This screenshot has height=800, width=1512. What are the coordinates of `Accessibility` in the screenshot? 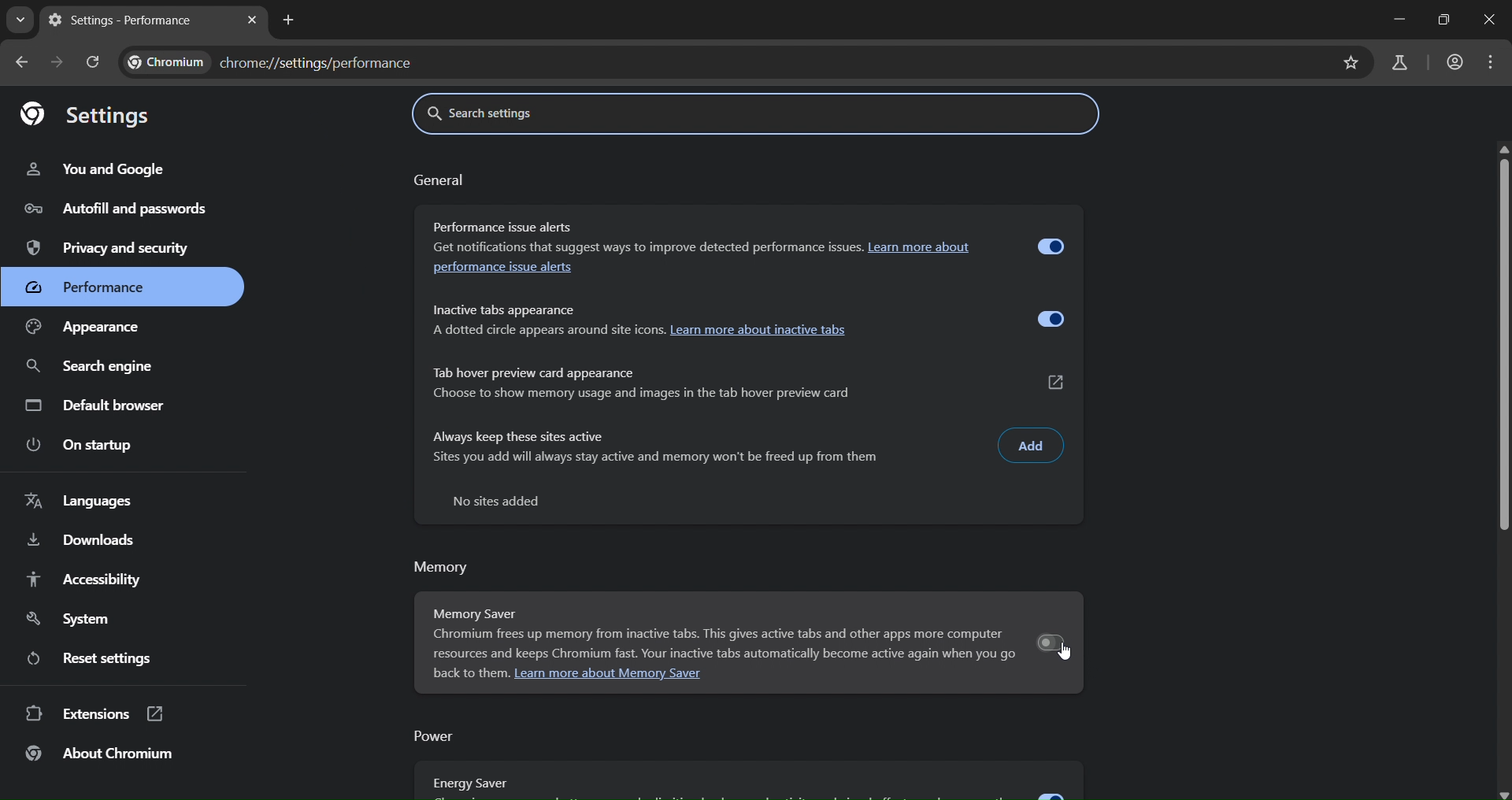 It's located at (81, 578).